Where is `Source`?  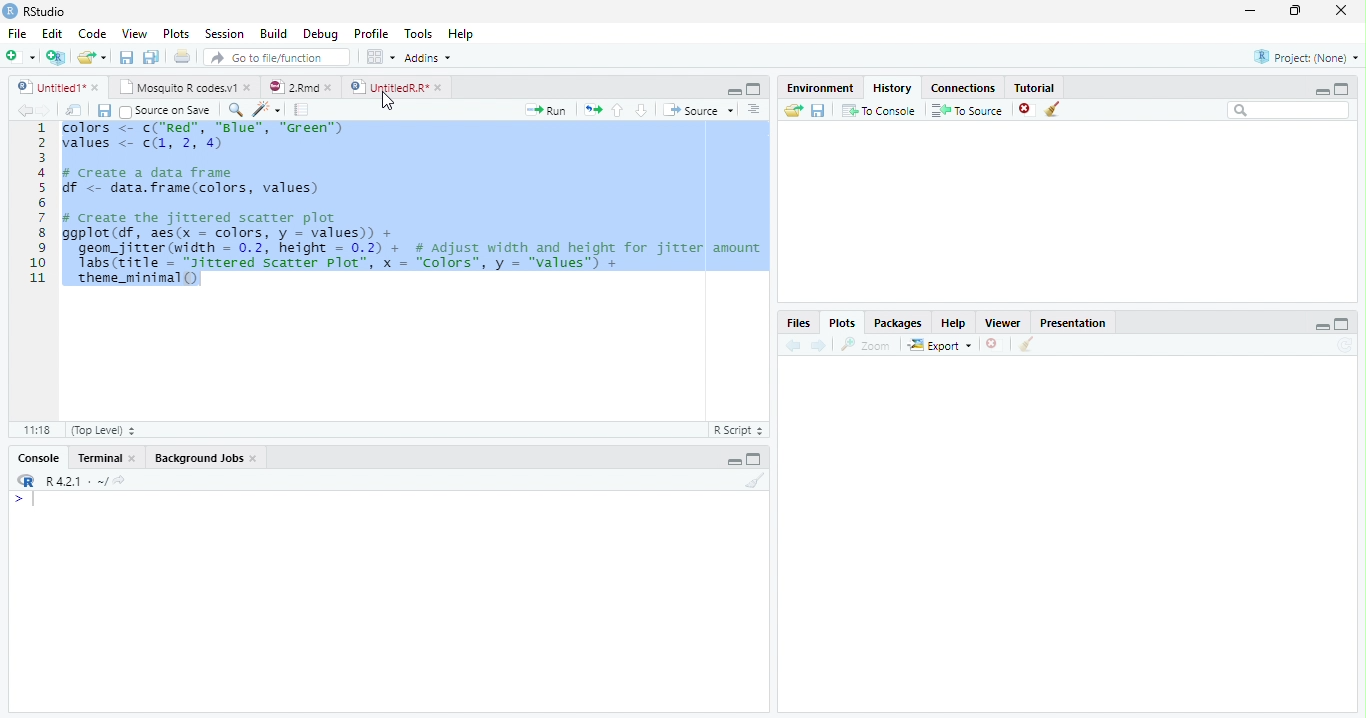
Source is located at coordinates (698, 110).